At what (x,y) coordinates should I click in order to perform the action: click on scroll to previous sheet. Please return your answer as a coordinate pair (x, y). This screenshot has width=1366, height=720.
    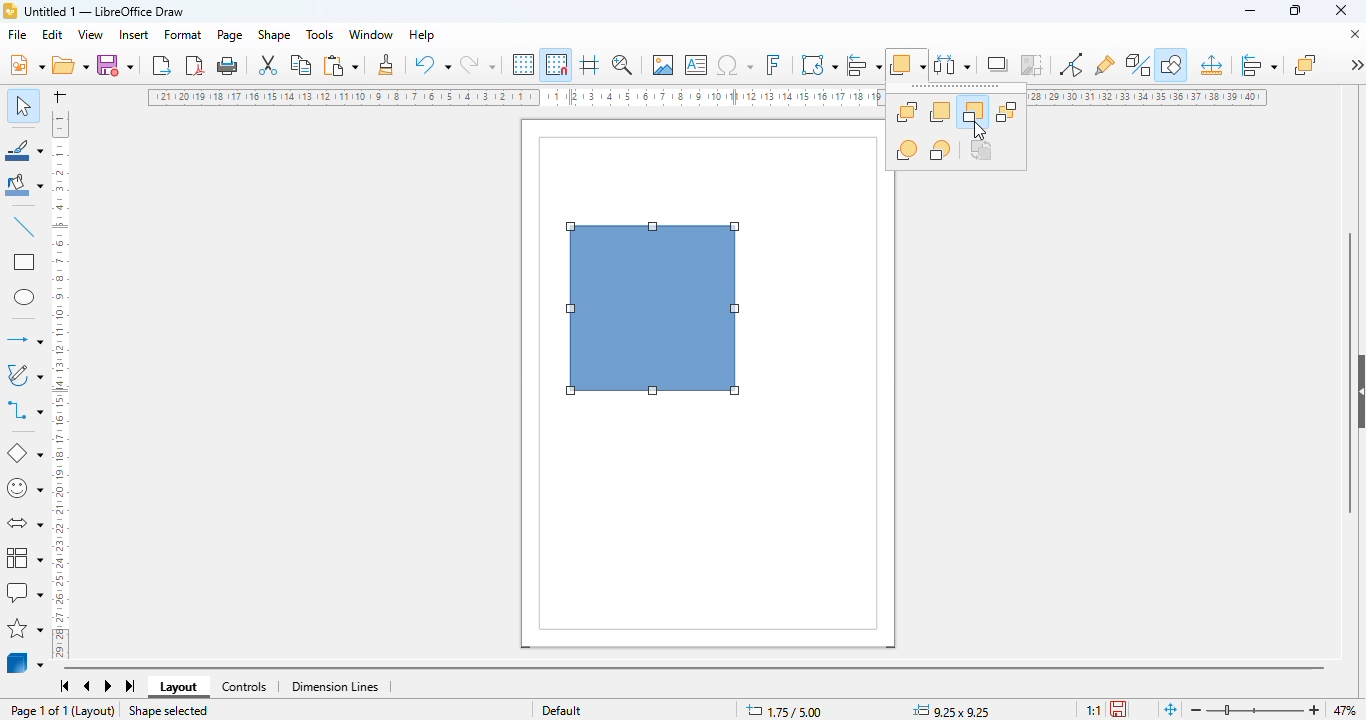
    Looking at the image, I should click on (87, 687).